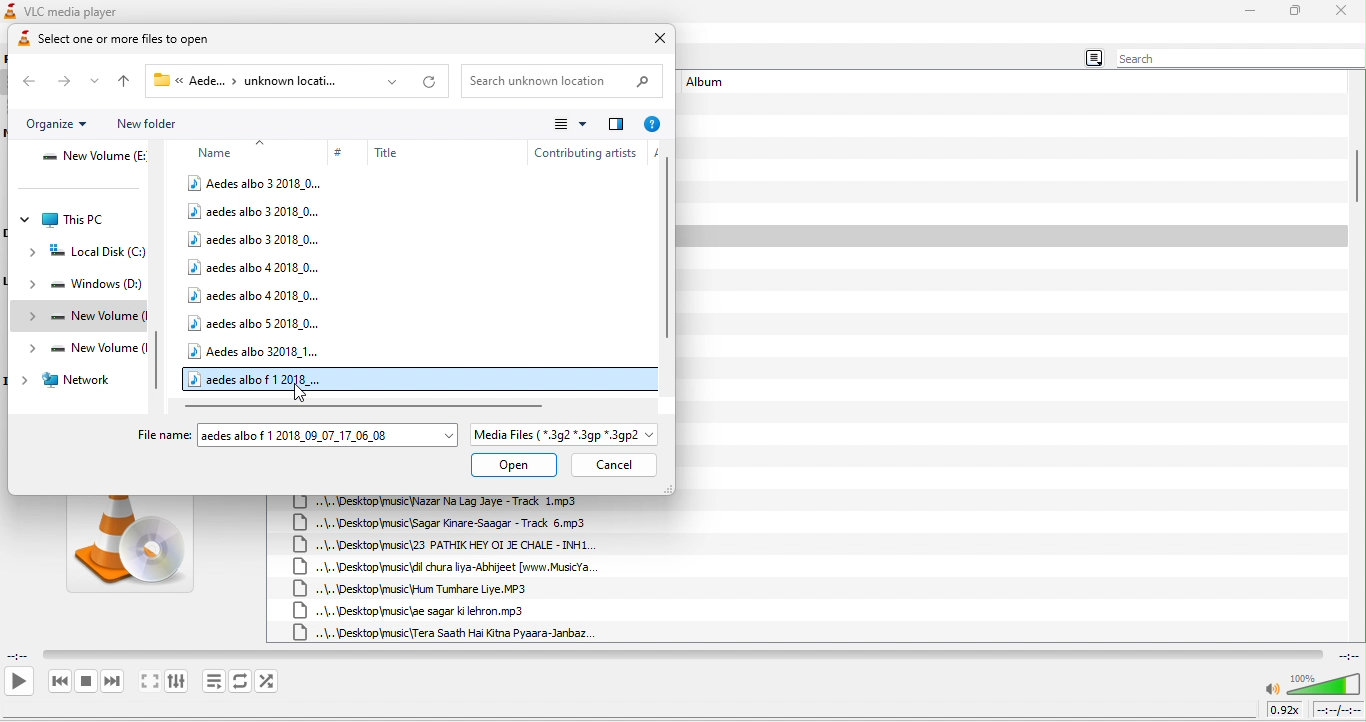 This screenshot has height=722, width=1366. I want to click on aedes albo 3 2018.0..., so click(256, 239).